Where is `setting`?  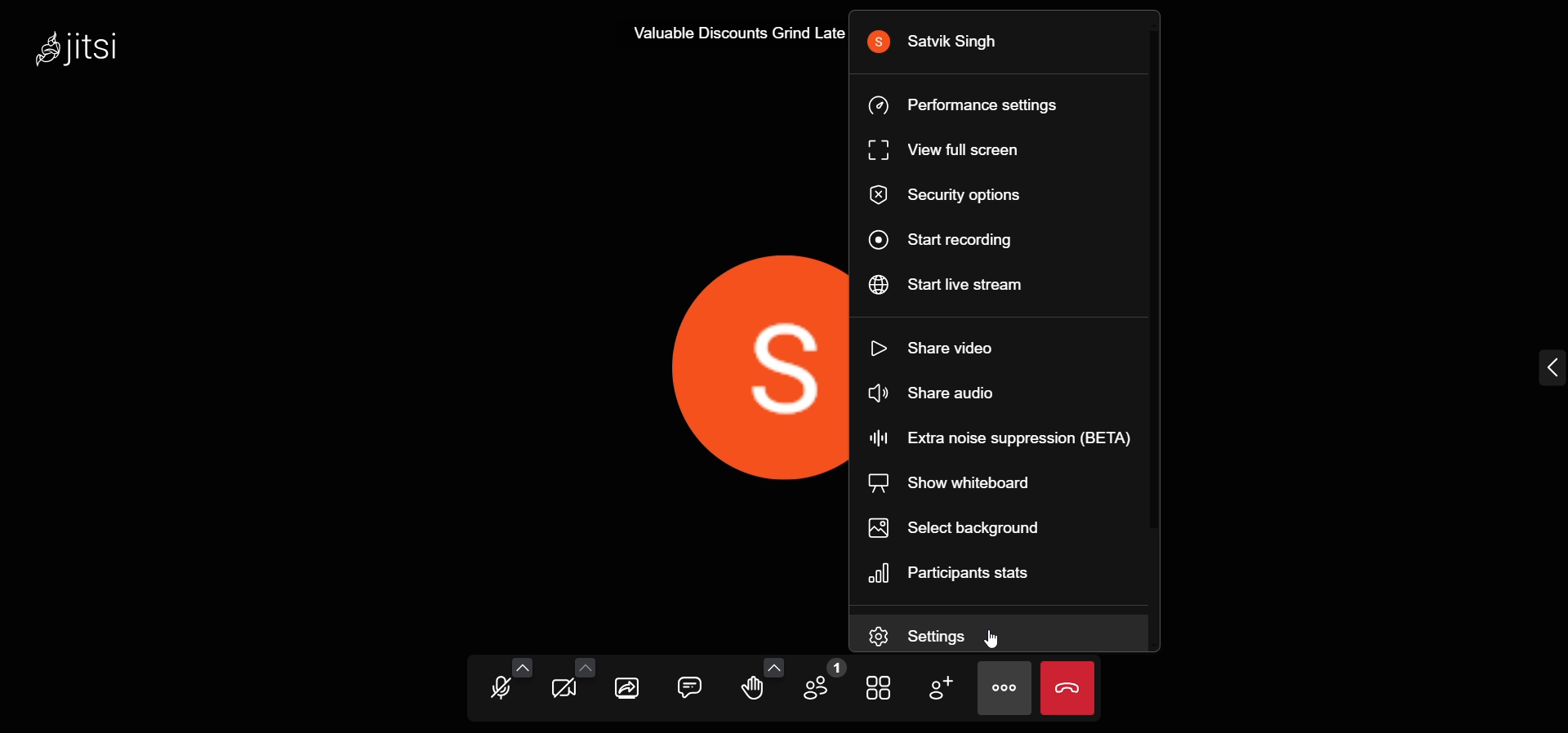 setting is located at coordinates (936, 636).